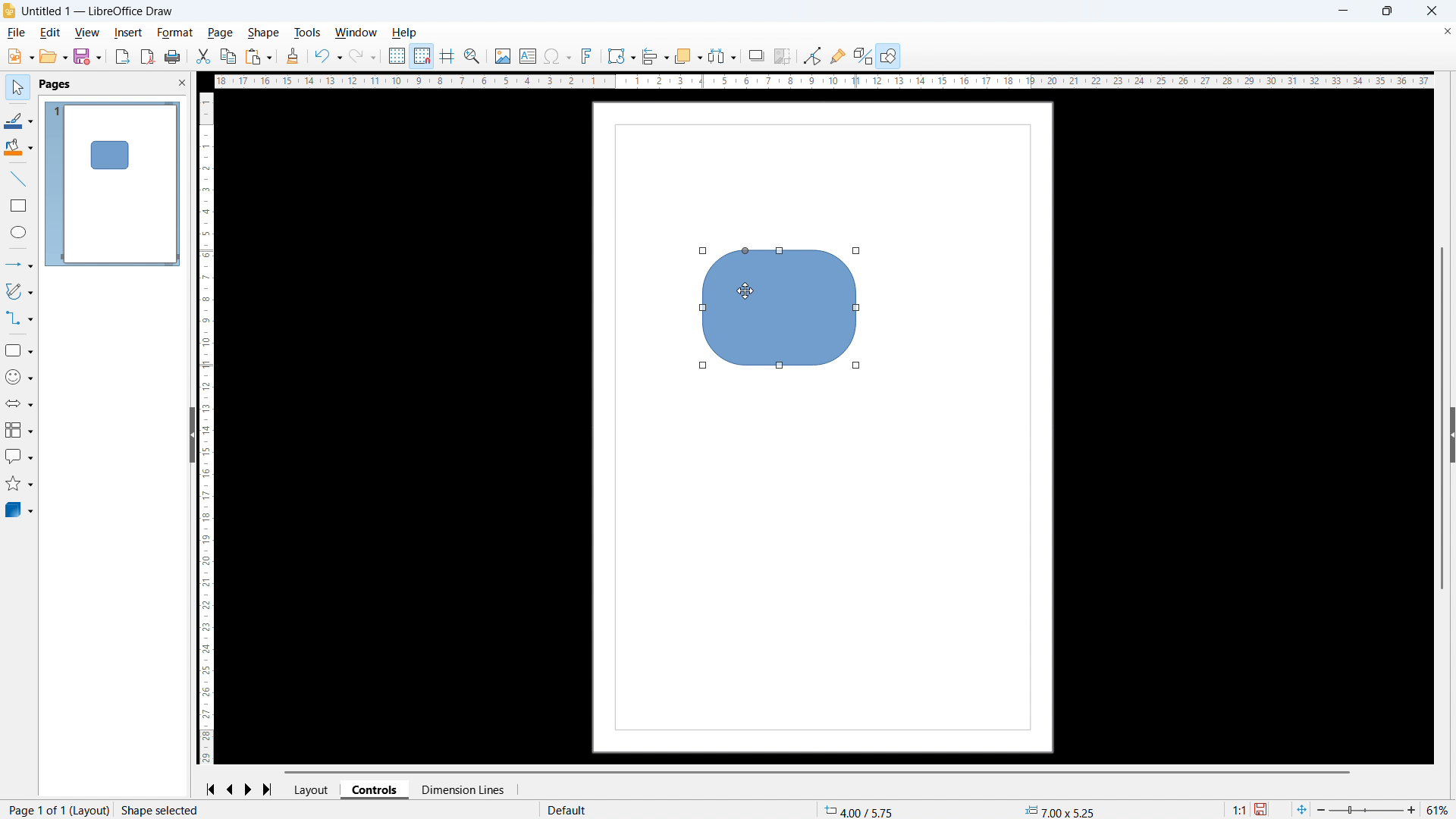 The width and height of the screenshot is (1456, 819). I want to click on Zoom slider , so click(1367, 810).